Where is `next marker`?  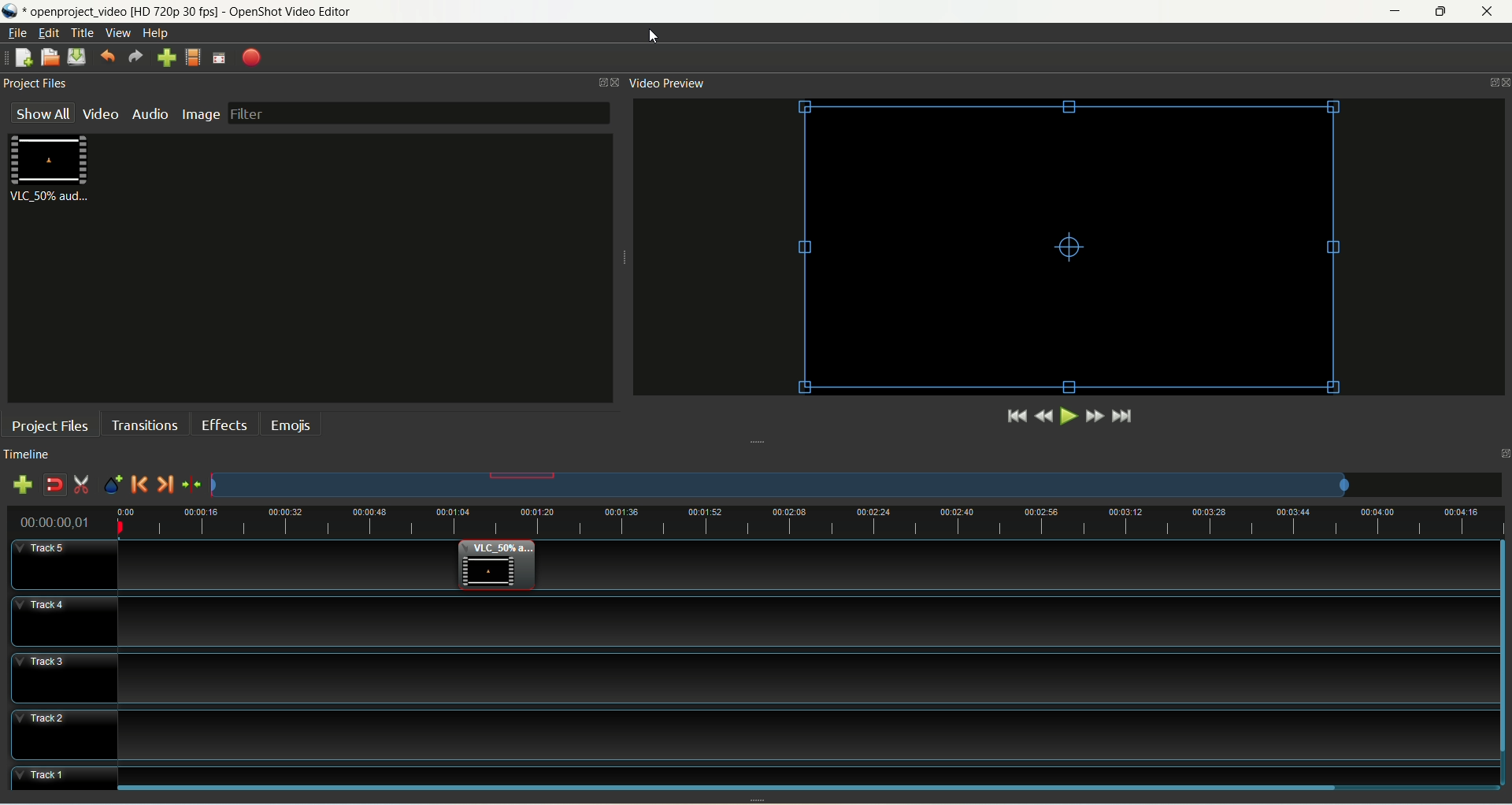
next marker is located at coordinates (164, 485).